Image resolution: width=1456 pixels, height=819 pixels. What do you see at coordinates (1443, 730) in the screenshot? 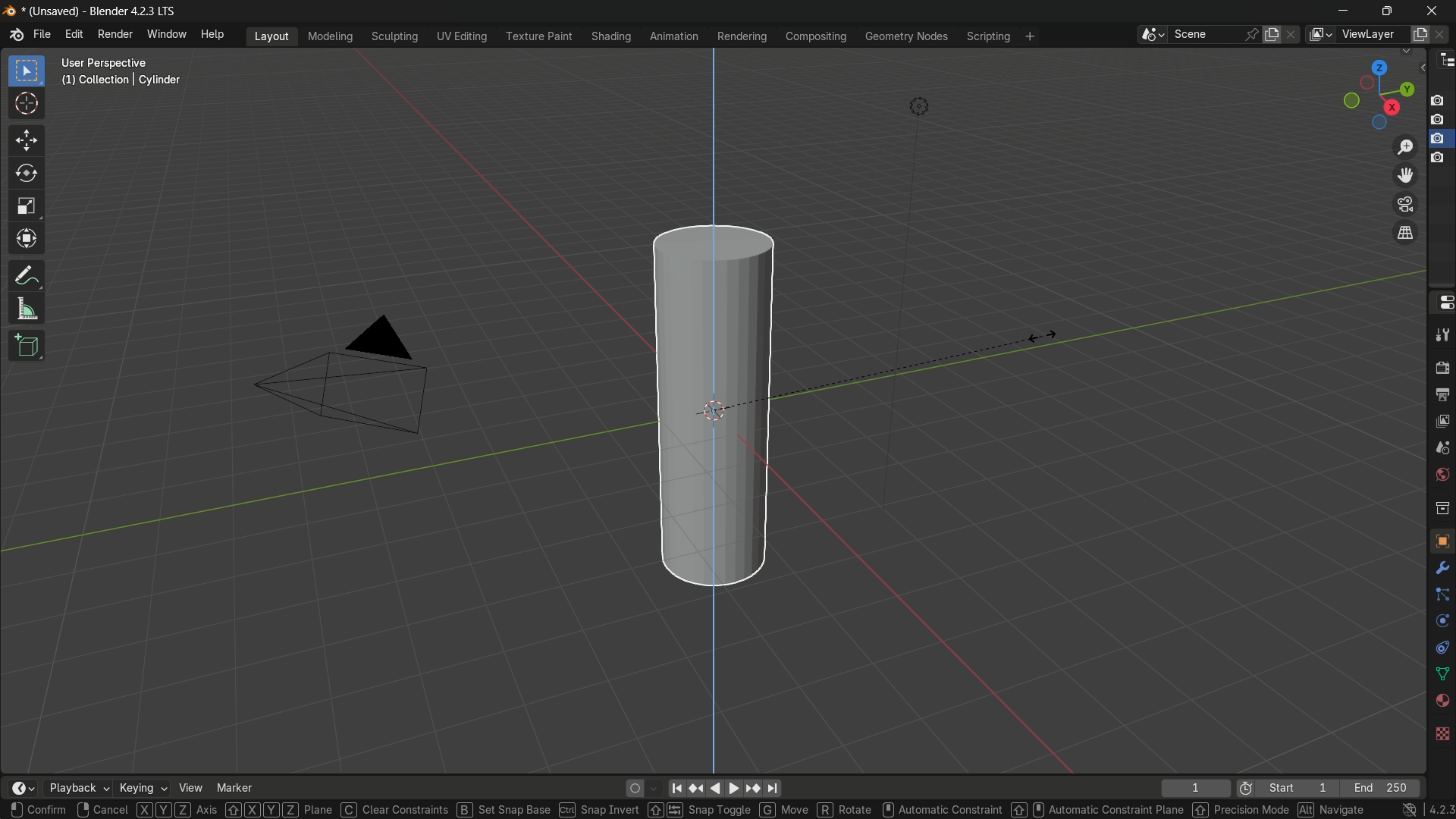
I see `textures` at bounding box center [1443, 730].